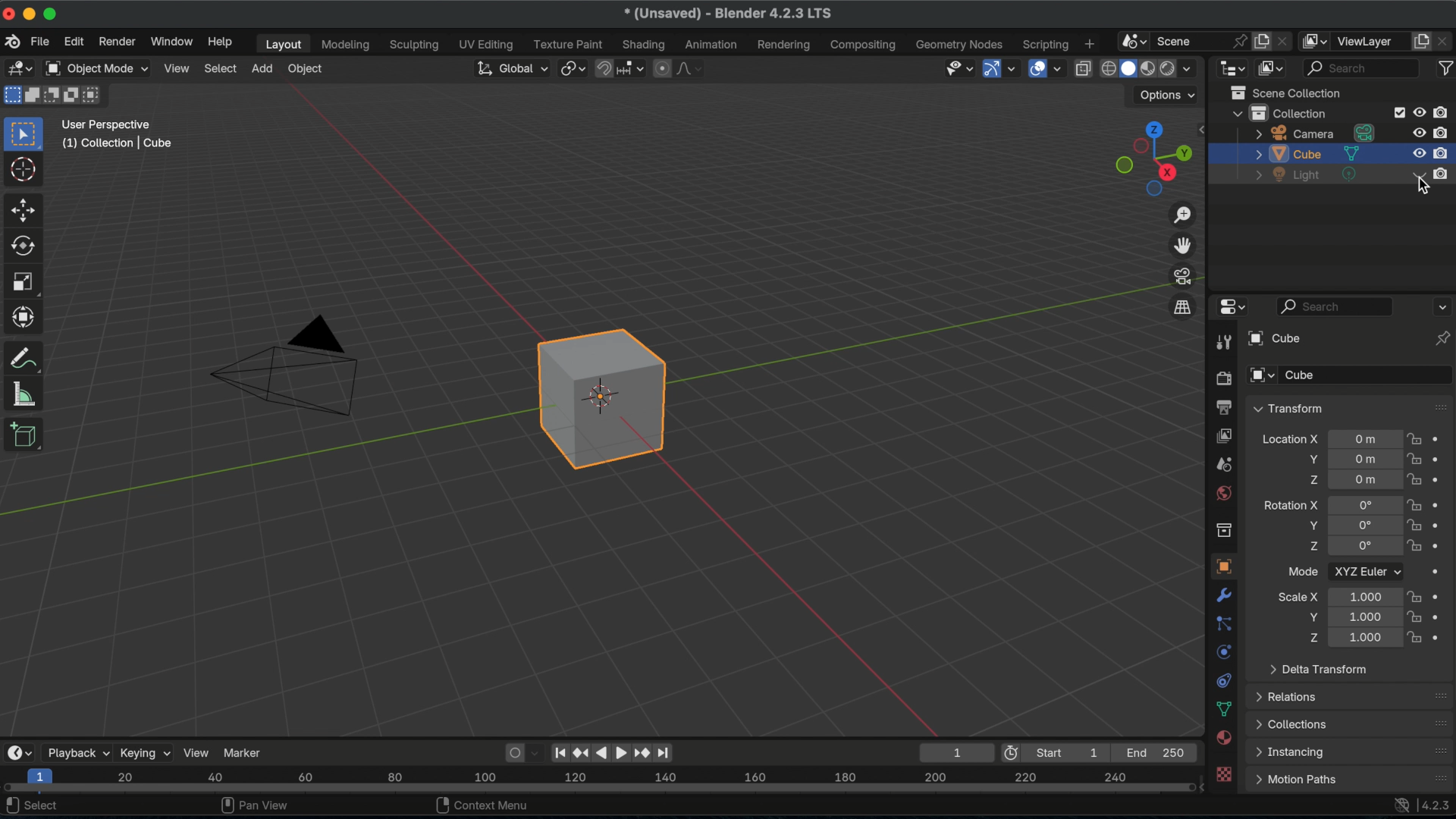  Describe the element at coordinates (1233, 304) in the screenshot. I see `` at that location.